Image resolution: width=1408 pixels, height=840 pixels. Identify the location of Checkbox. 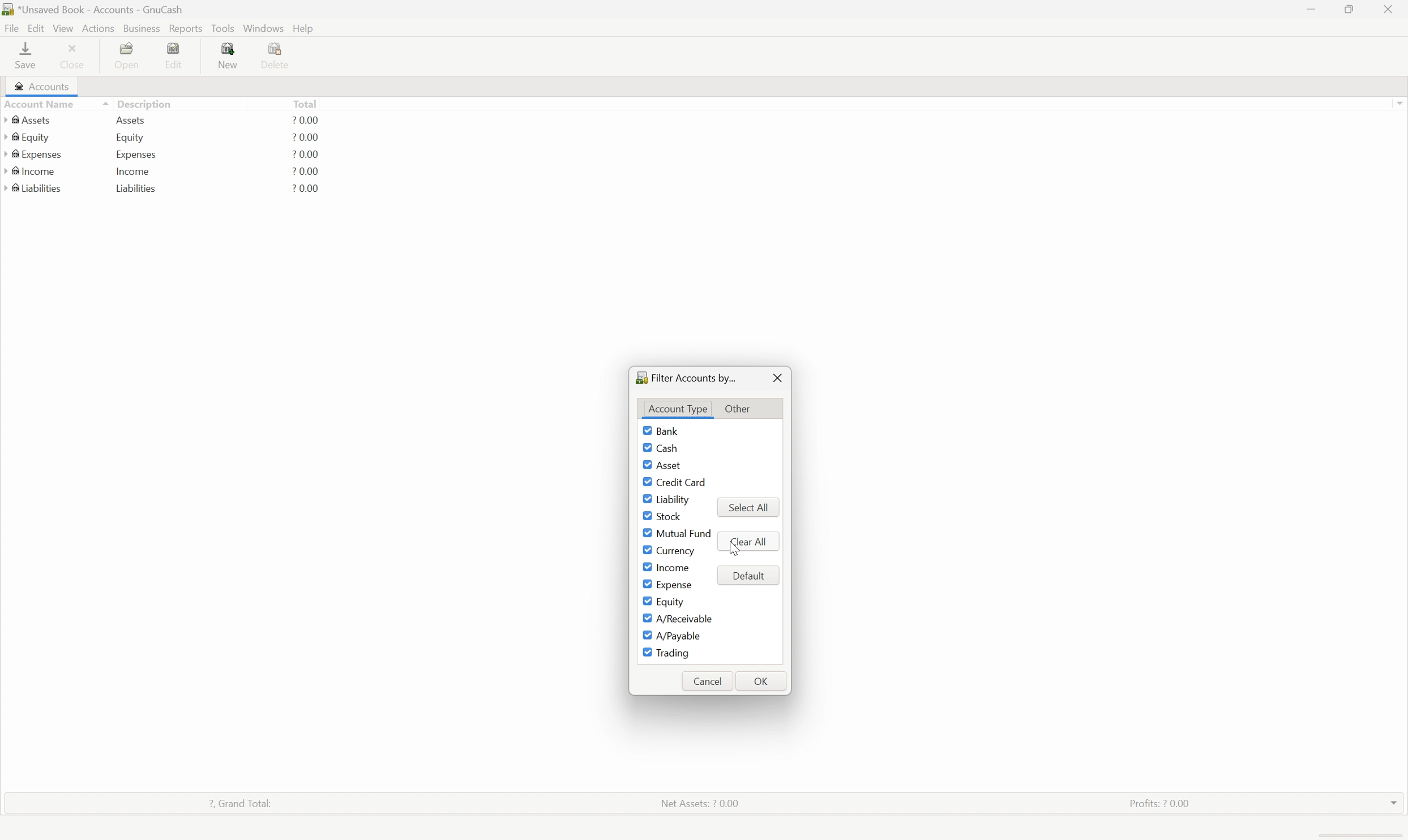
(645, 583).